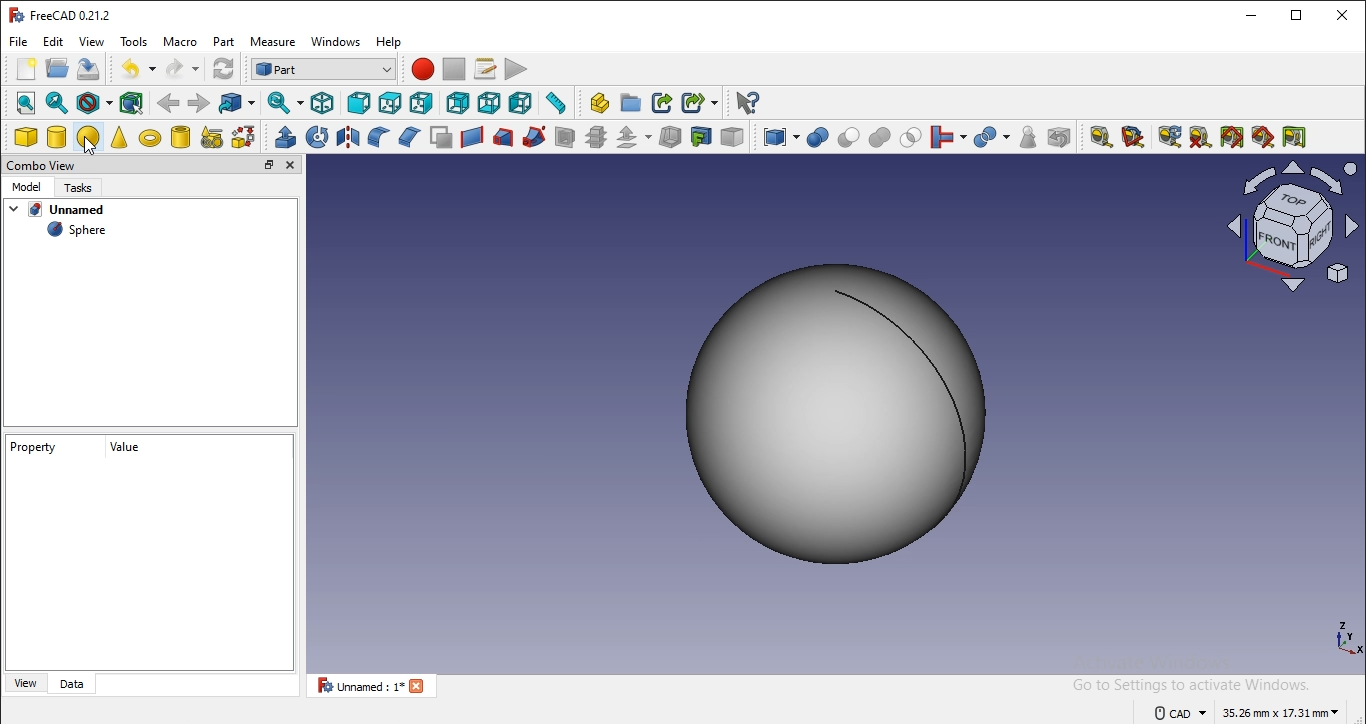  I want to click on view, so click(92, 40).